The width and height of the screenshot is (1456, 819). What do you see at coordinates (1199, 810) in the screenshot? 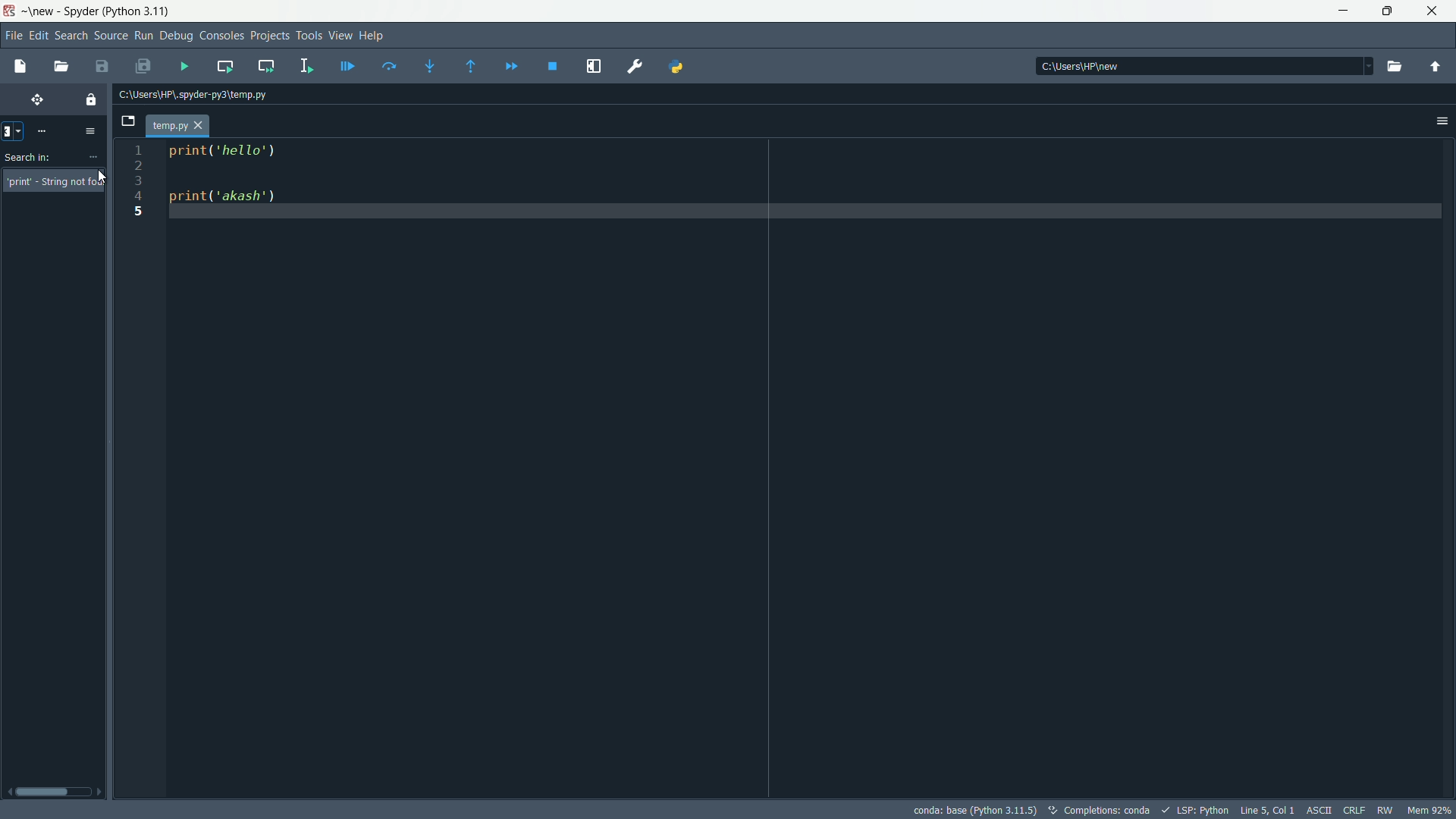
I see `LSP:Python` at bounding box center [1199, 810].